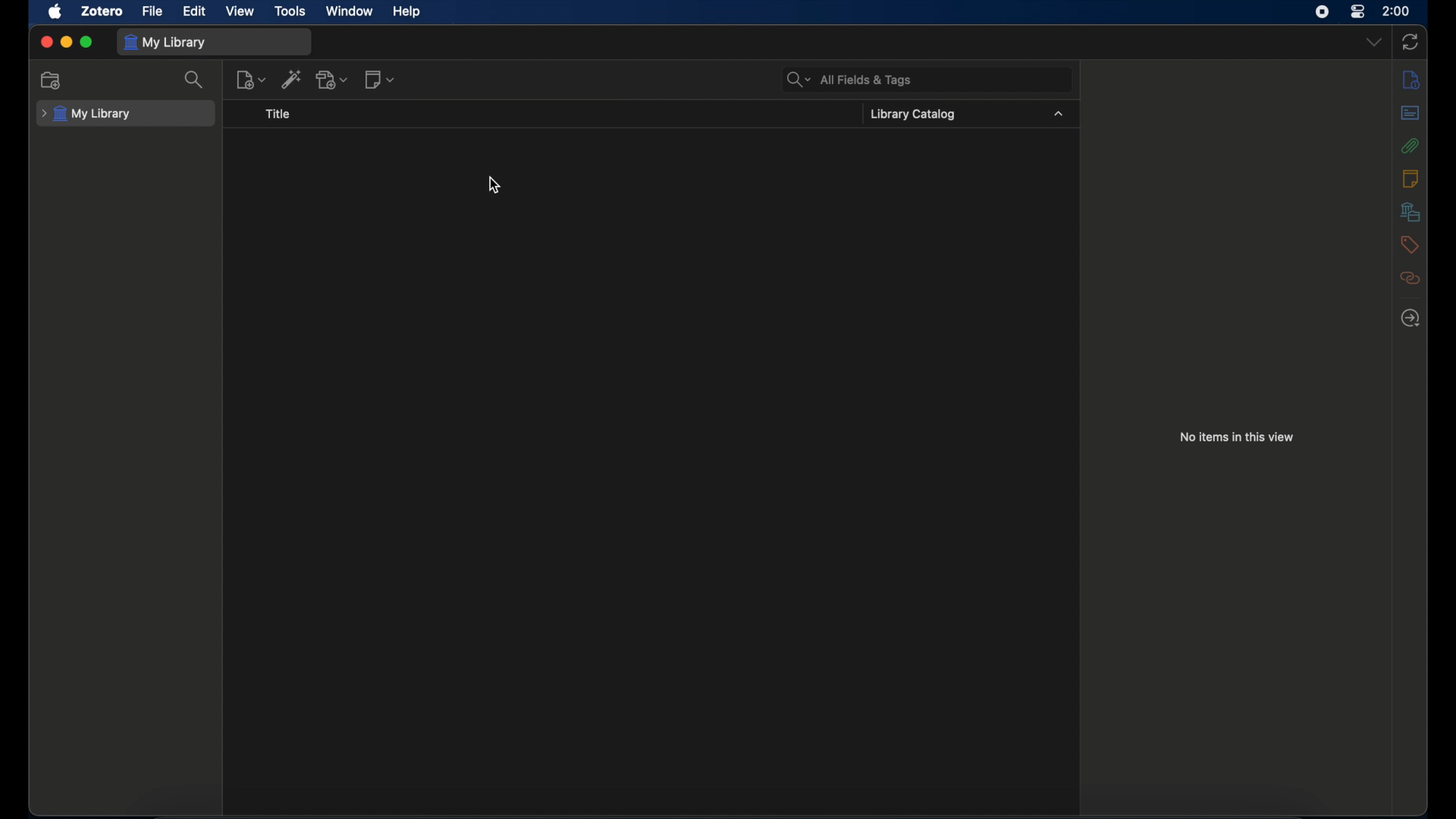 This screenshot has width=1456, height=819. What do you see at coordinates (408, 12) in the screenshot?
I see `help` at bounding box center [408, 12].